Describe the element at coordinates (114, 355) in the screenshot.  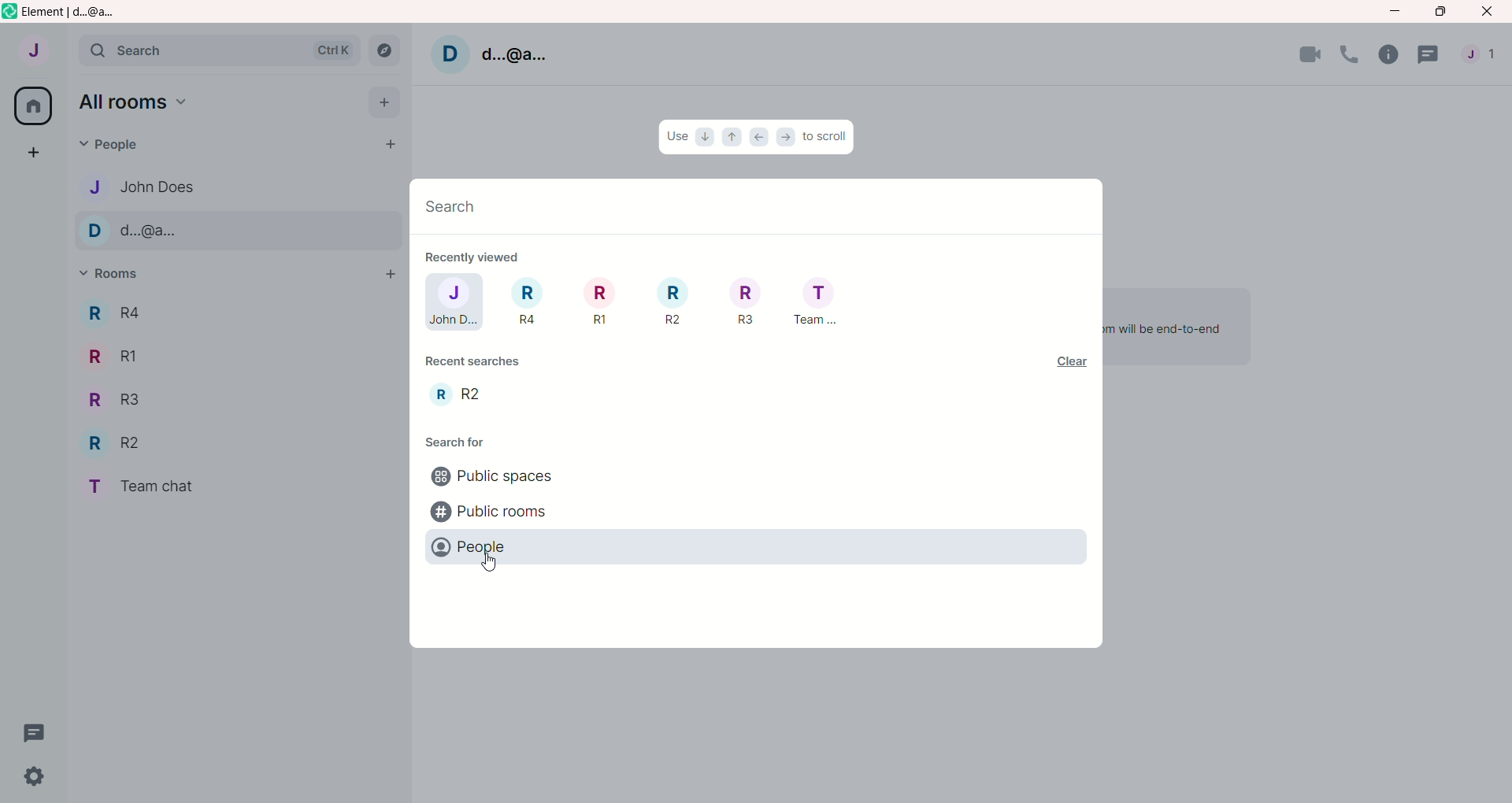
I see `R1` at that location.